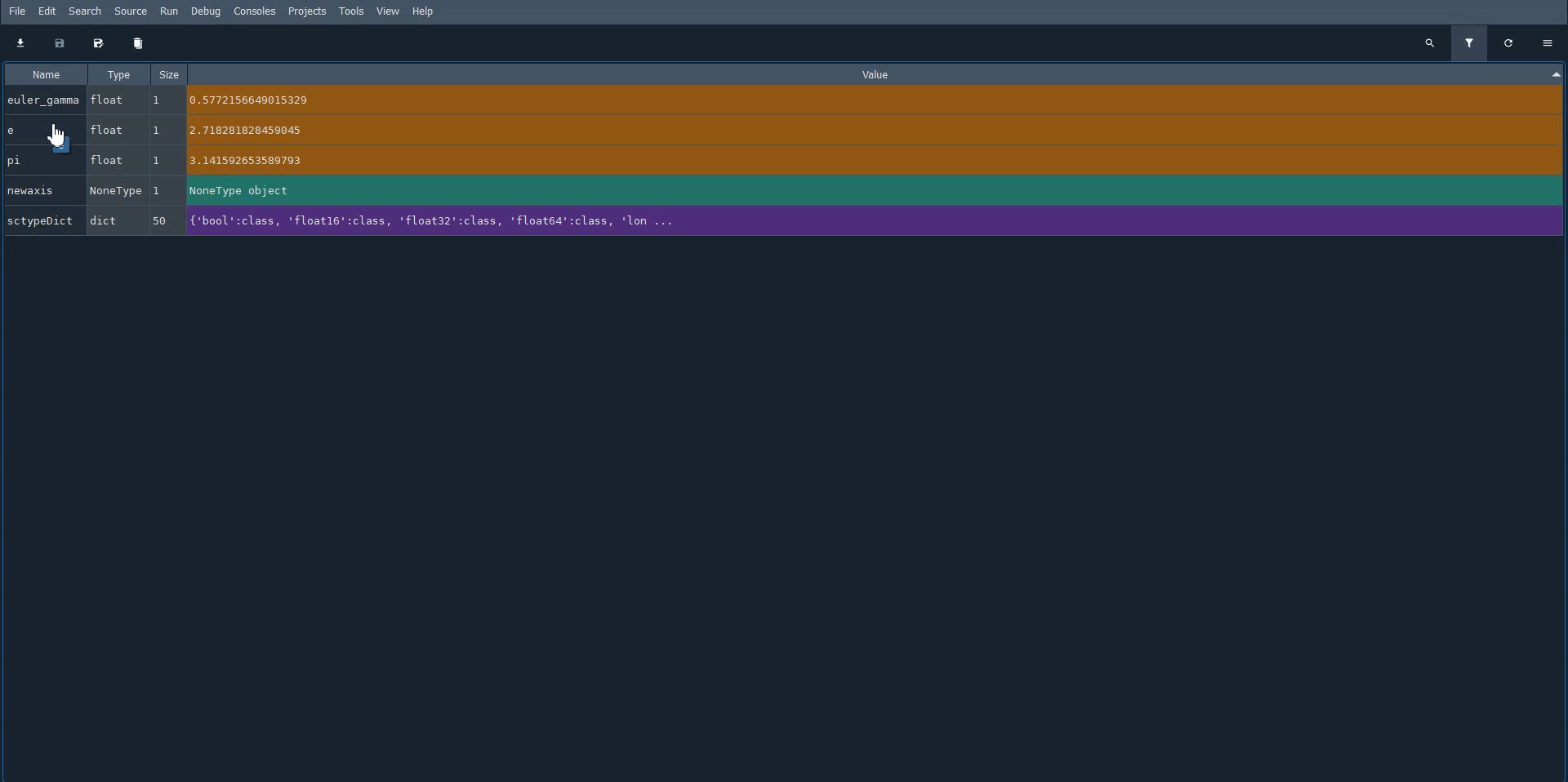  Describe the element at coordinates (306, 11) in the screenshot. I see `Projects` at that location.